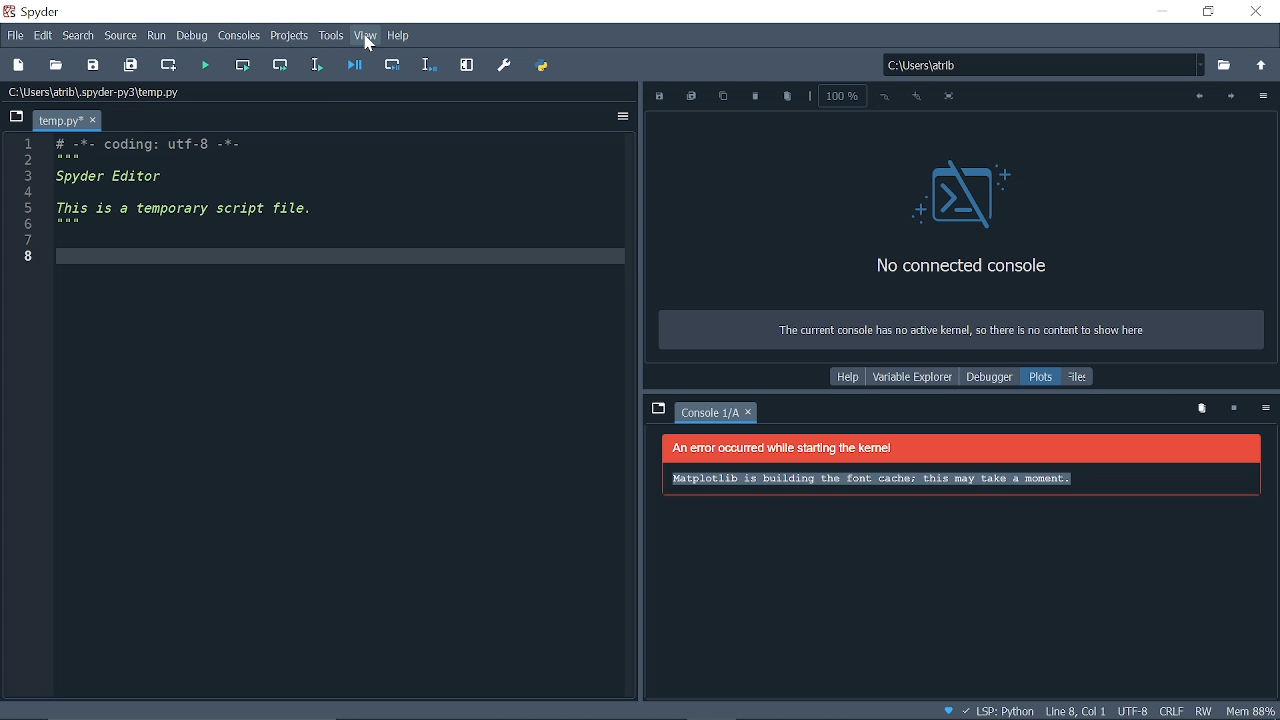 The height and width of the screenshot is (720, 1280). What do you see at coordinates (1202, 409) in the screenshot?
I see `Remove all variable from namepace` at bounding box center [1202, 409].